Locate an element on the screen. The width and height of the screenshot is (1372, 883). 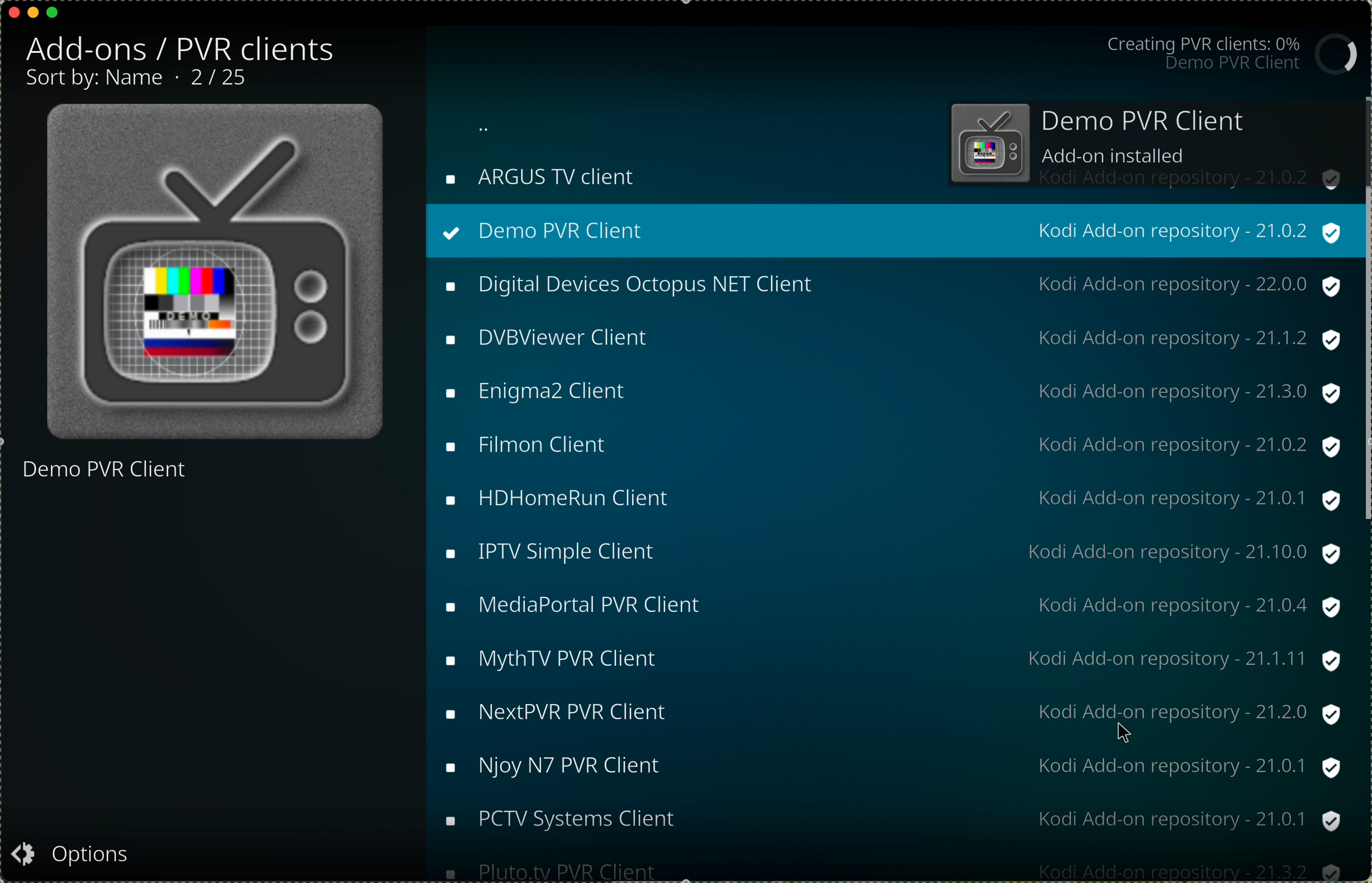
add-on installed is located at coordinates (1147, 145).